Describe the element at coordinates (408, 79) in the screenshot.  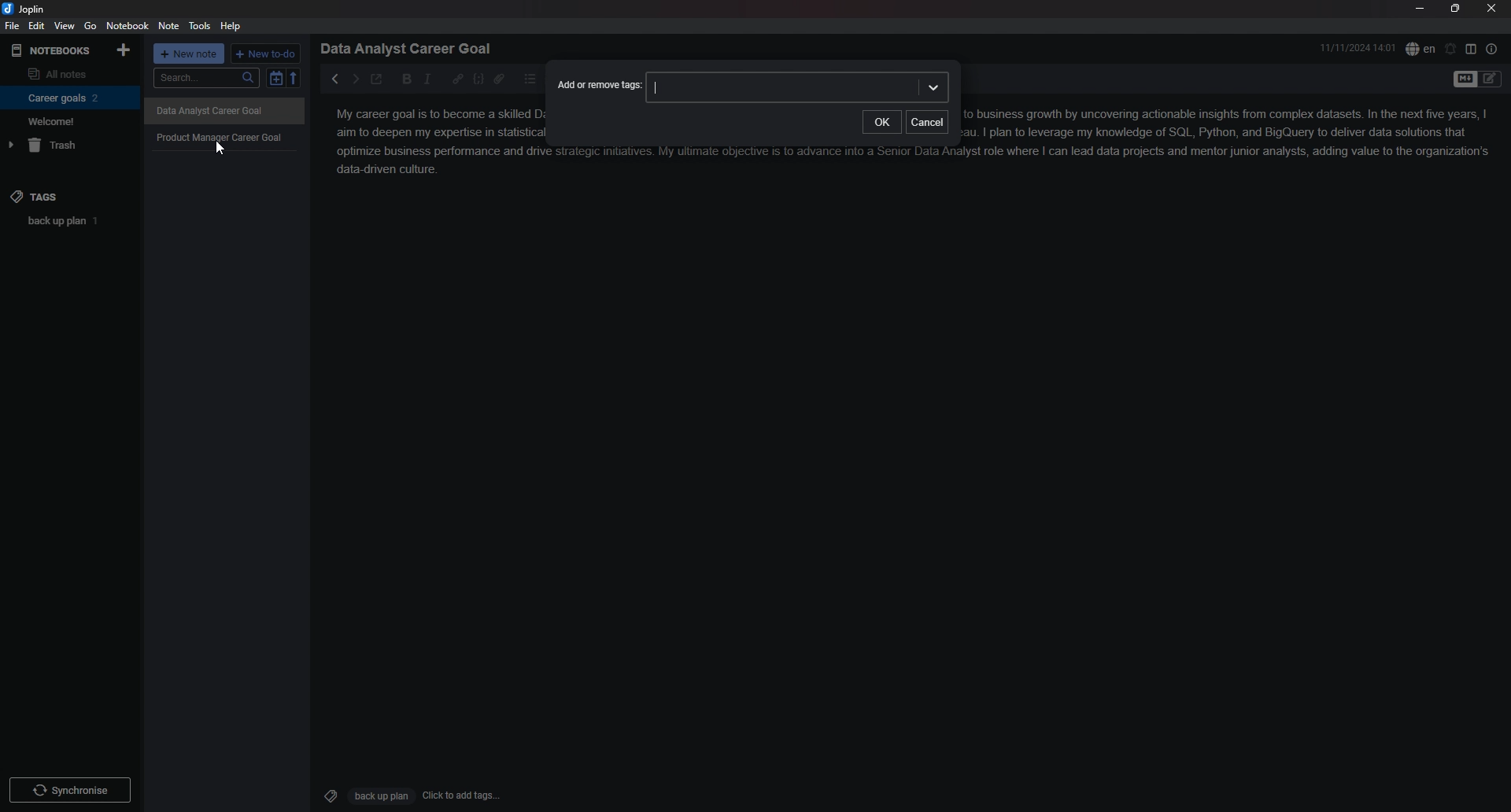
I see `bold` at that location.